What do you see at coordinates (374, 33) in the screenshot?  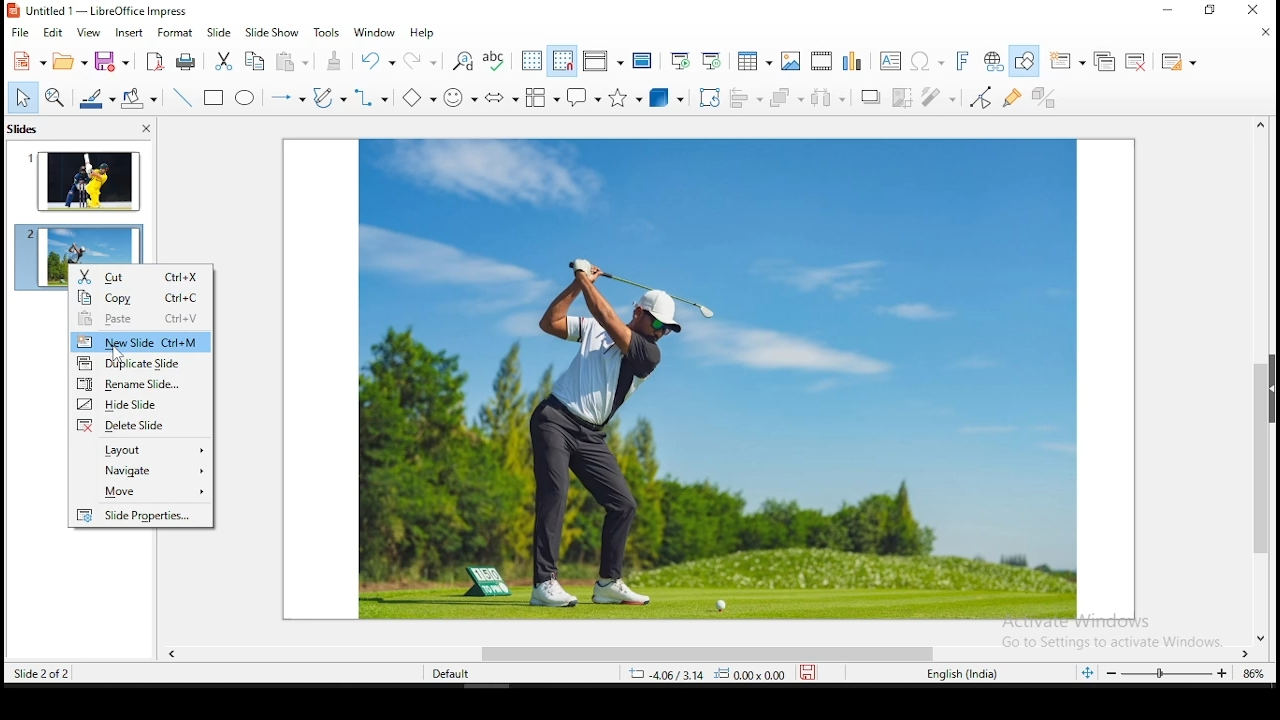 I see `window` at bounding box center [374, 33].